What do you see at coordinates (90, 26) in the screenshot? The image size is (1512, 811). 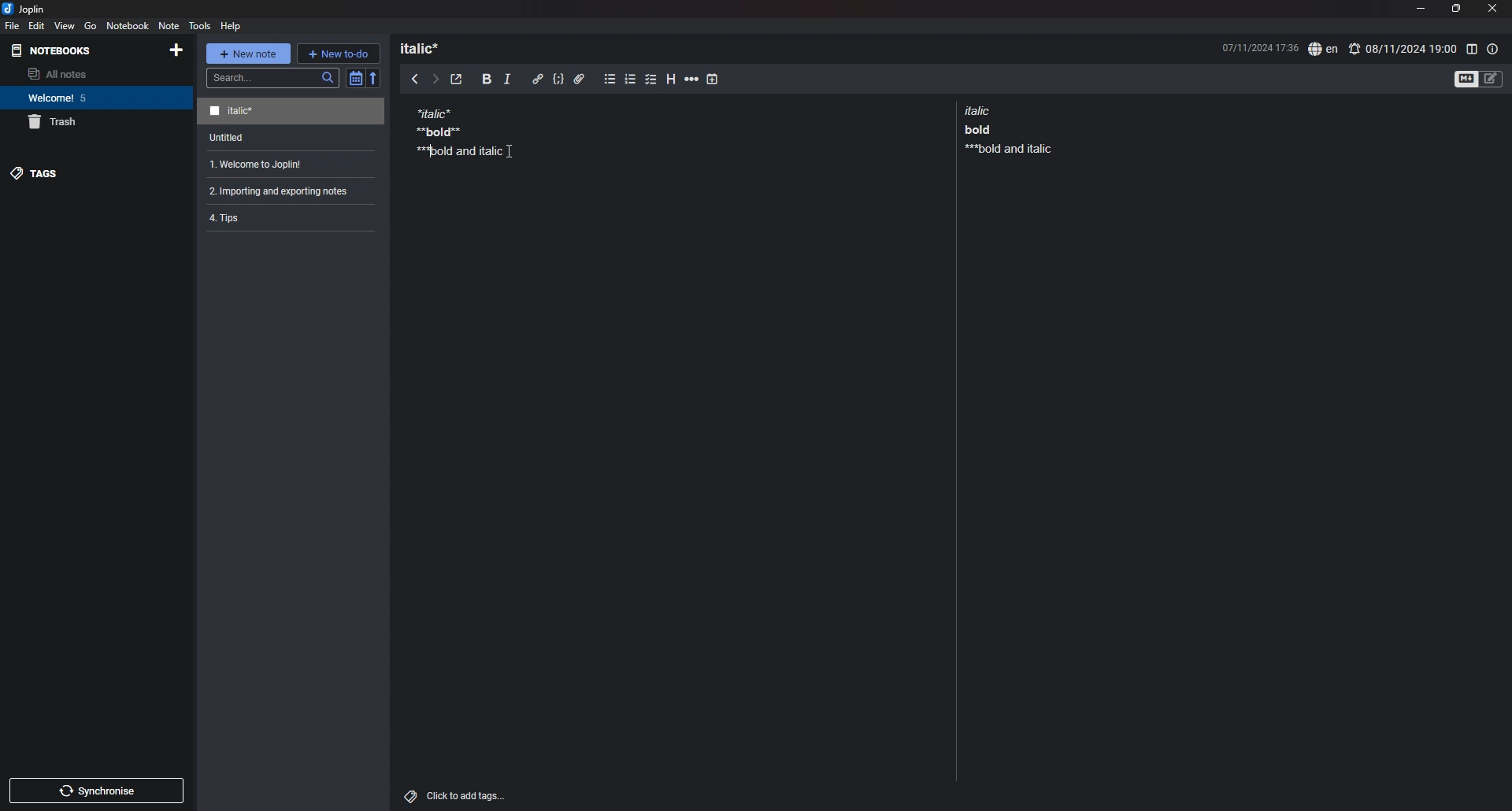 I see `go` at bounding box center [90, 26].